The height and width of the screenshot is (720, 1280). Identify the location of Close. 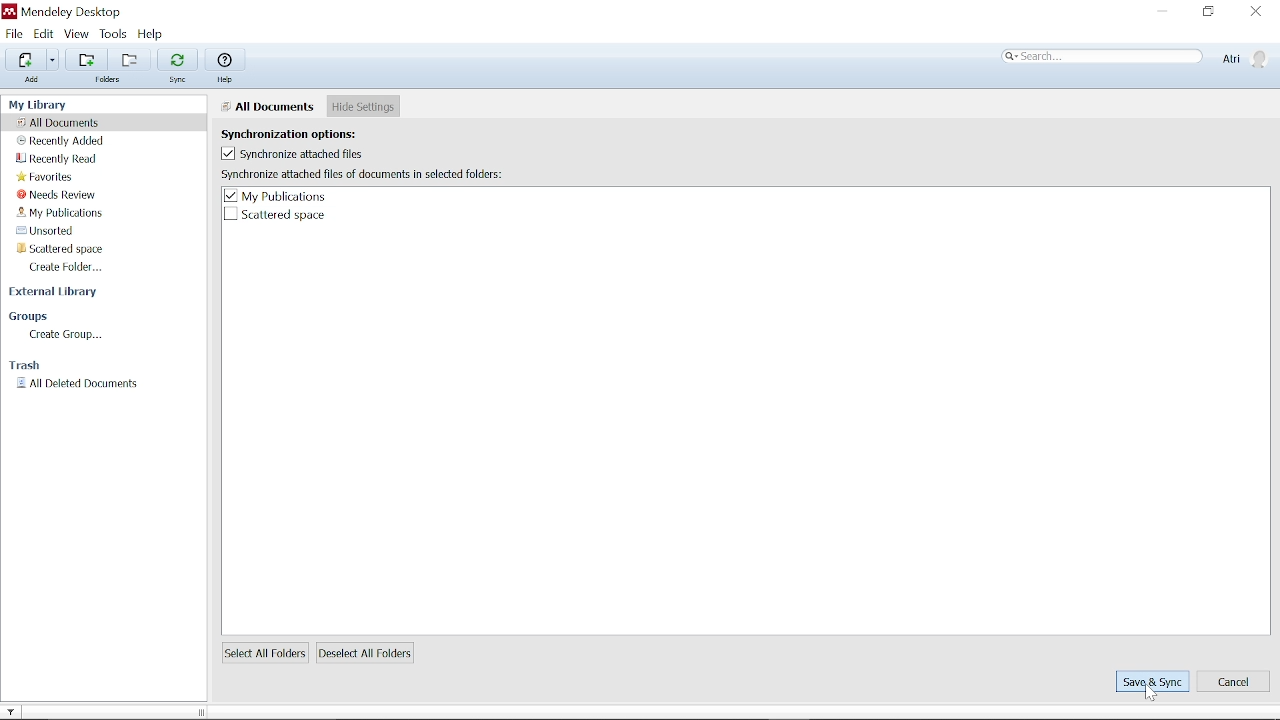
(1255, 11).